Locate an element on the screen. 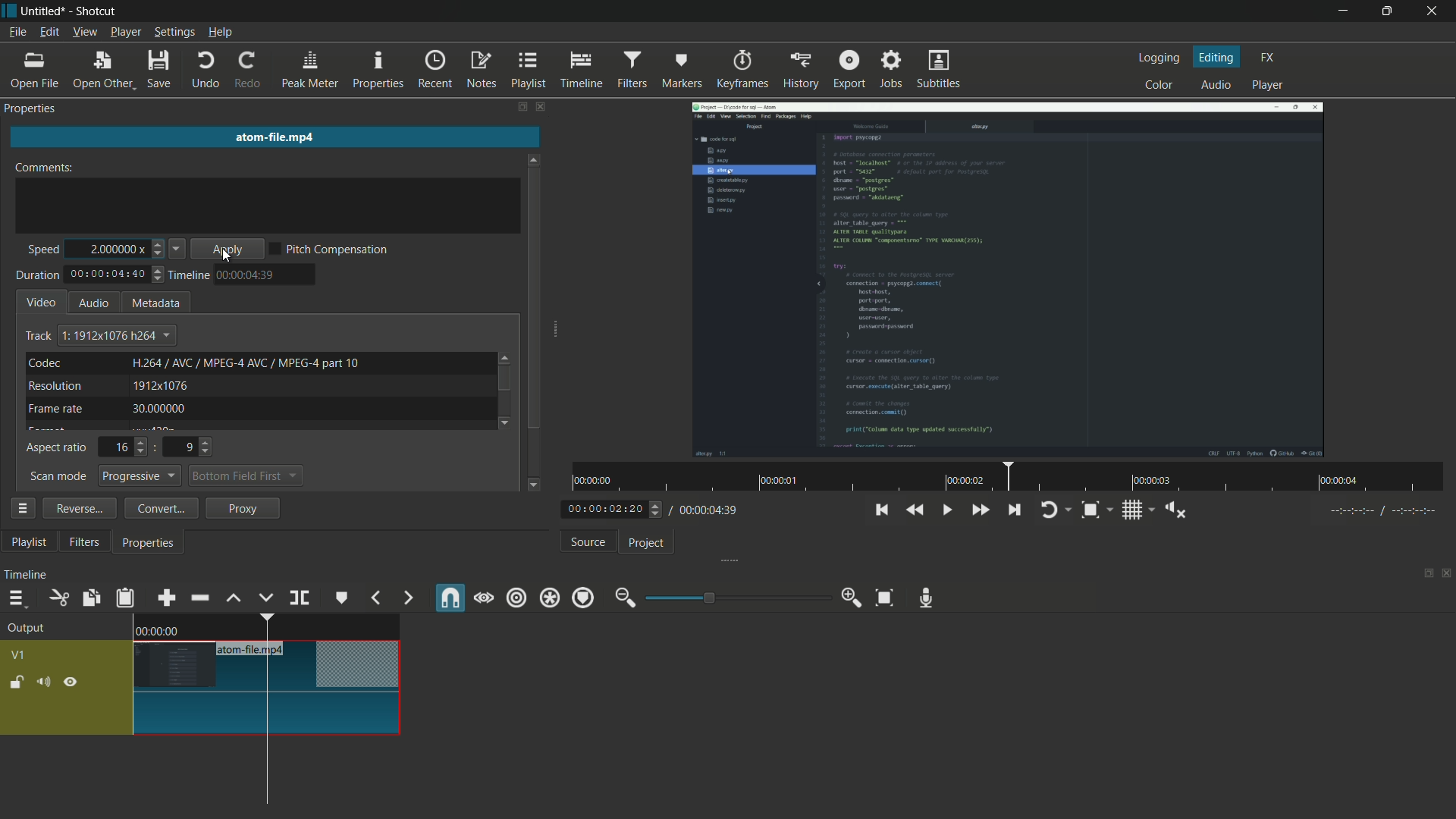 This screenshot has height=819, width=1456. video is located at coordinates (42, 302).